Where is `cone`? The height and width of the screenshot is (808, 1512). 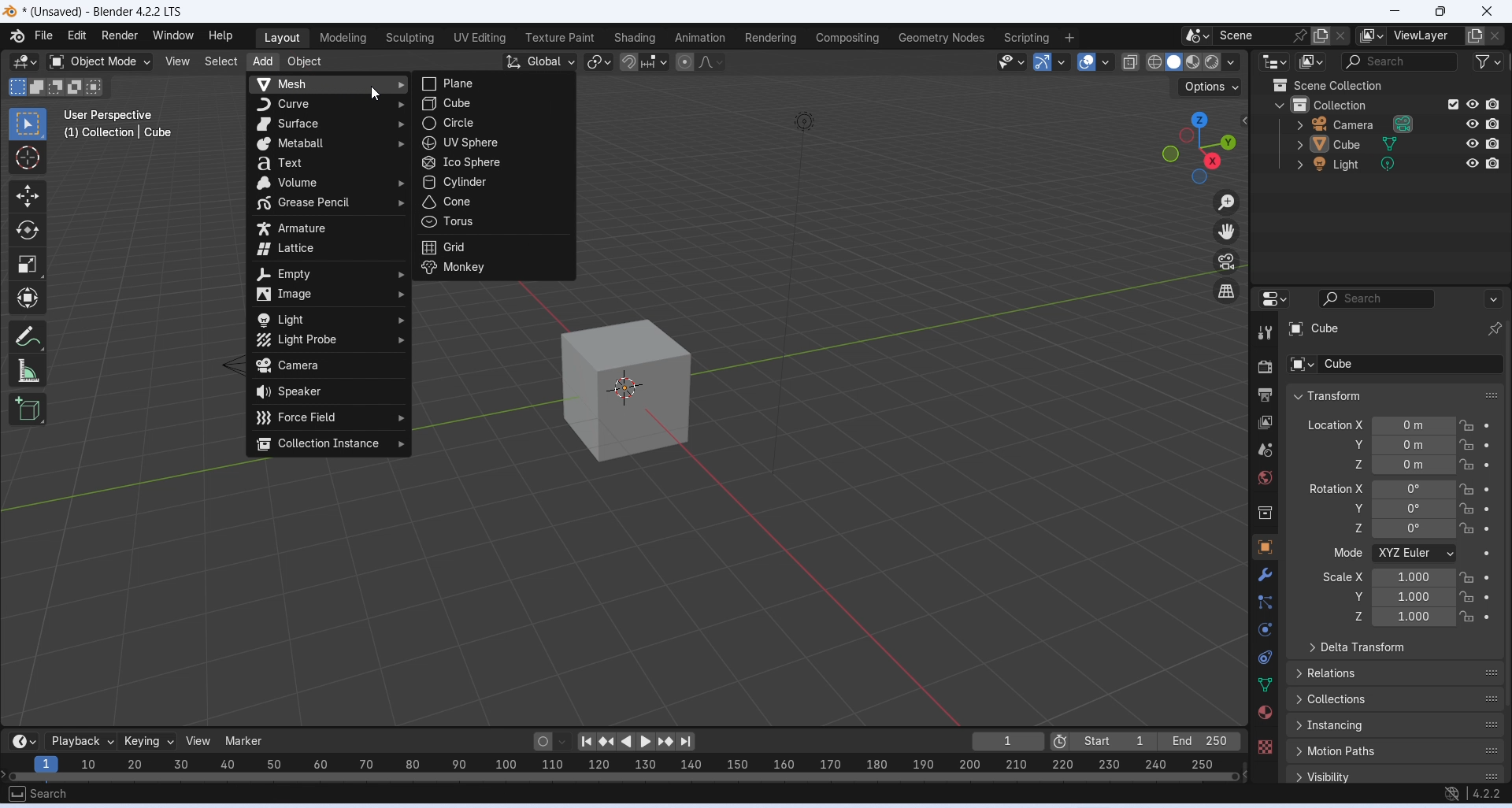
cone is located at coordinates (493, 202).